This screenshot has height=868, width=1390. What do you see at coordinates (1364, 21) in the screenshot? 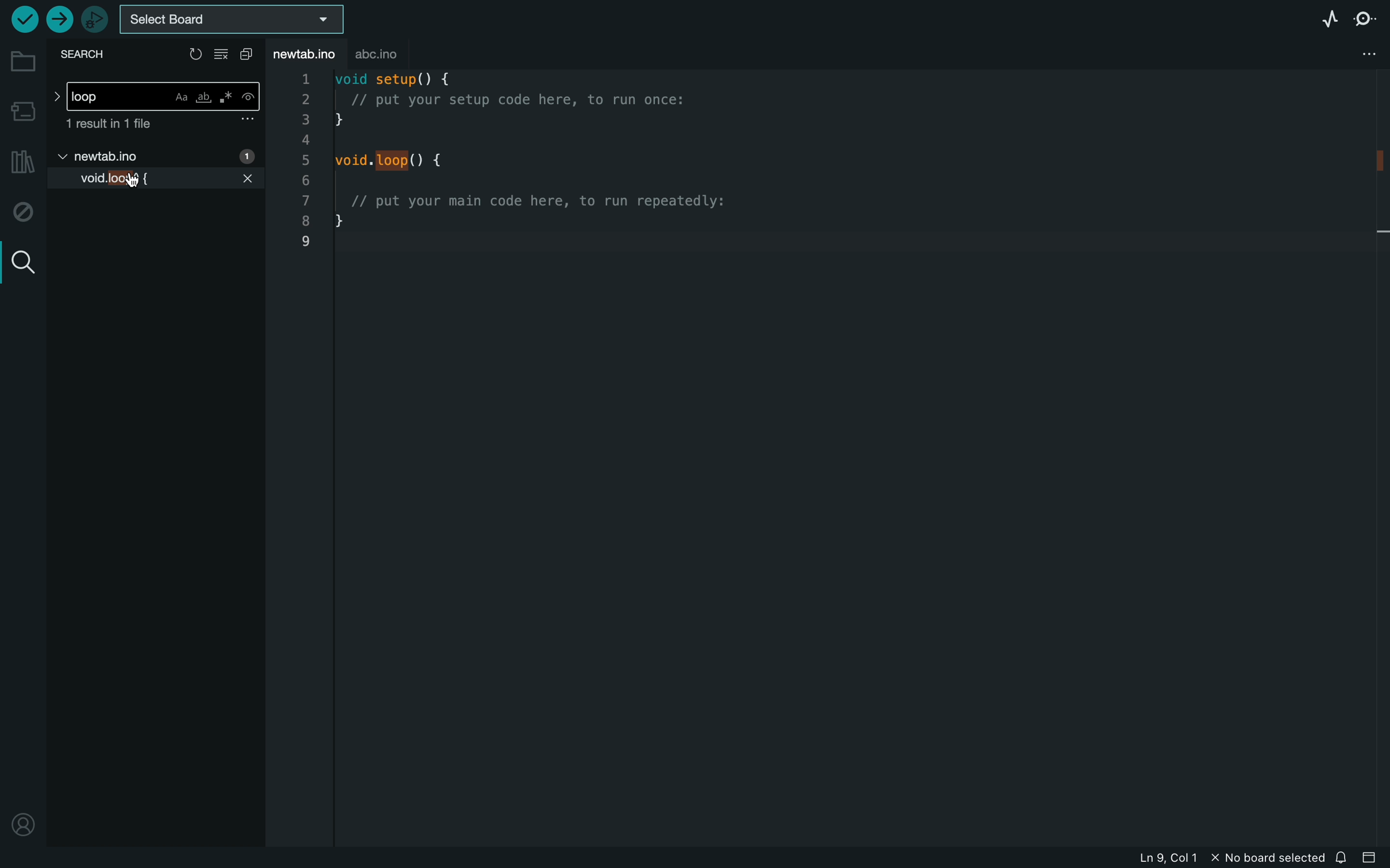
I see `serial monitor` at bounding box center [1364, 21].